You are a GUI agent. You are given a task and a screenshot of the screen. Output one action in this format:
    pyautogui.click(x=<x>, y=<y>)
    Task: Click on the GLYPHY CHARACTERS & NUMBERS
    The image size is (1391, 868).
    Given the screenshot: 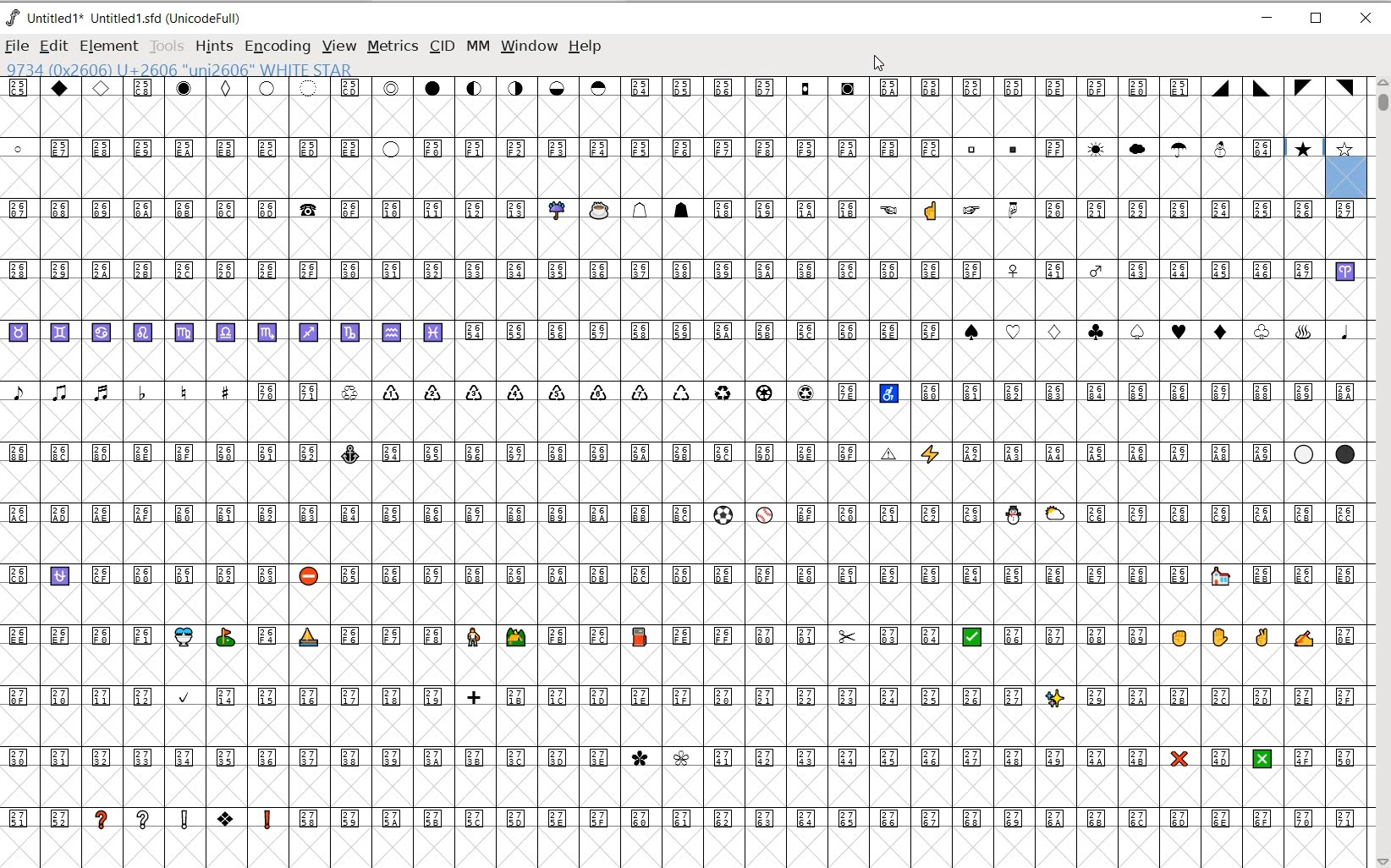 What is the action you would take?
    pyautogui.click(x=948, y=684)
    